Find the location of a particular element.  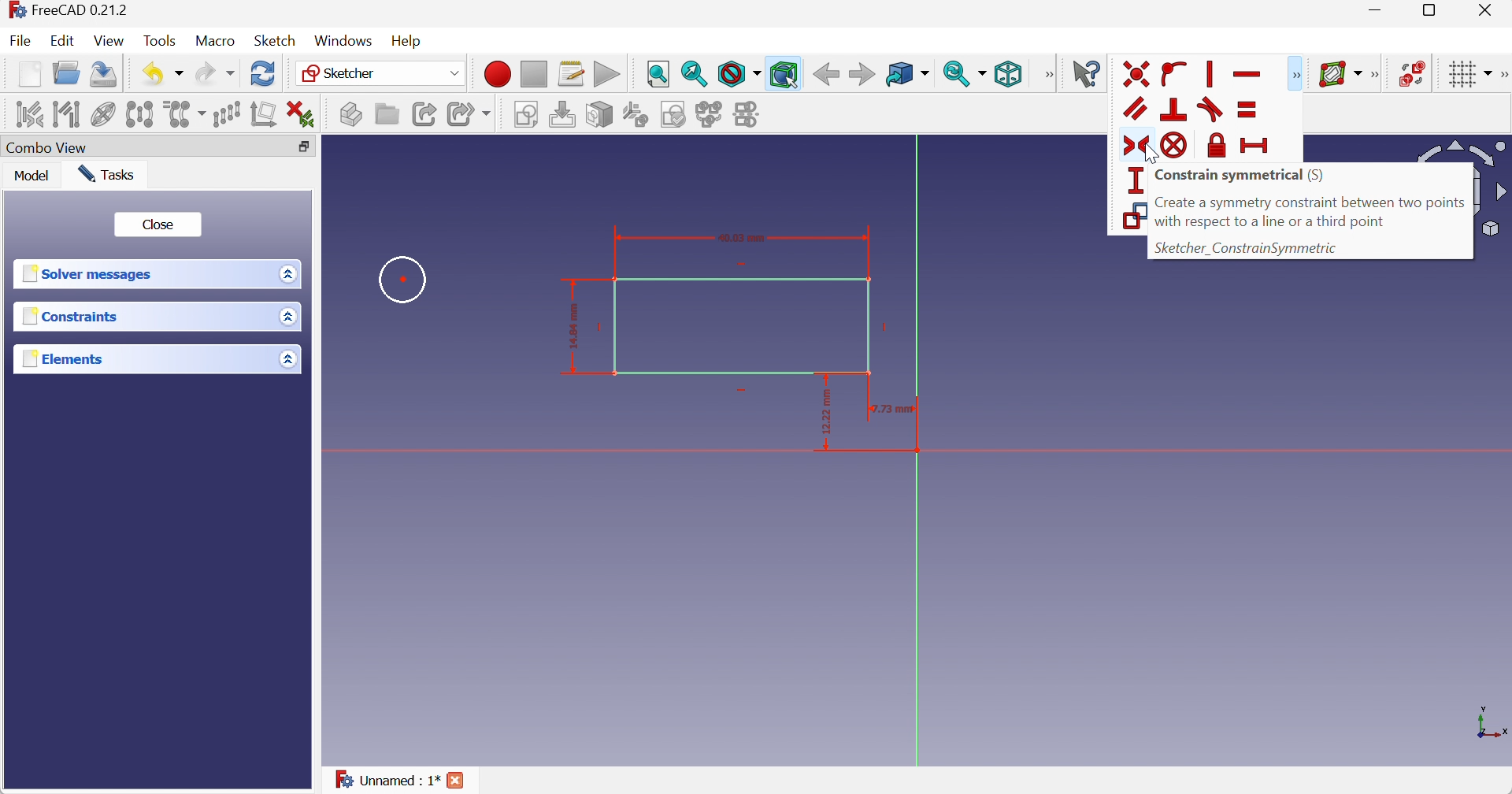

Constrain perpendicular is located at coordinates (1174, 110).